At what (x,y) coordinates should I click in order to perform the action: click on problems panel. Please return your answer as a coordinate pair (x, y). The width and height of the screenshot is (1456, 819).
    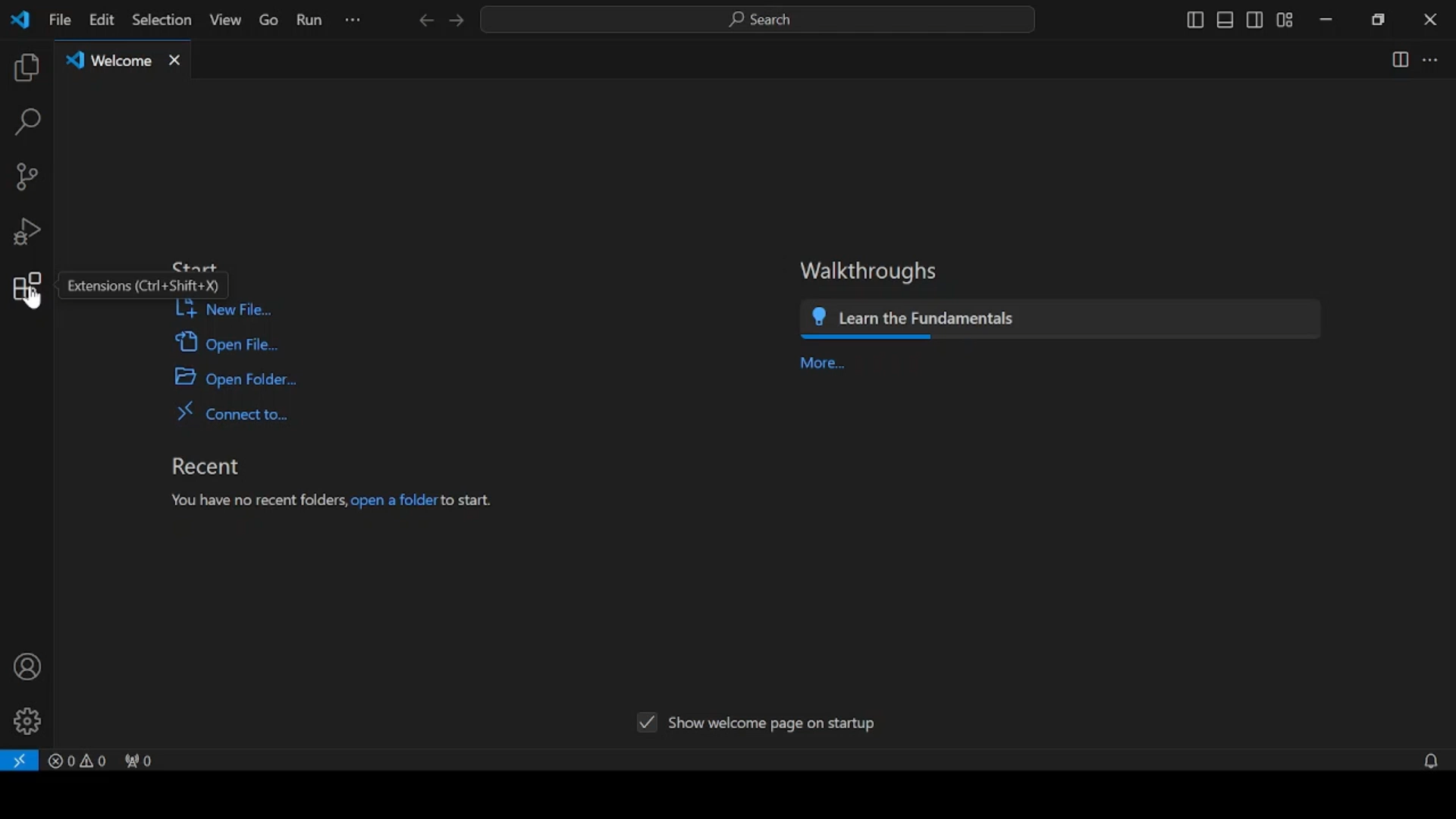
    Looking at the image, I should click on (81, 758).